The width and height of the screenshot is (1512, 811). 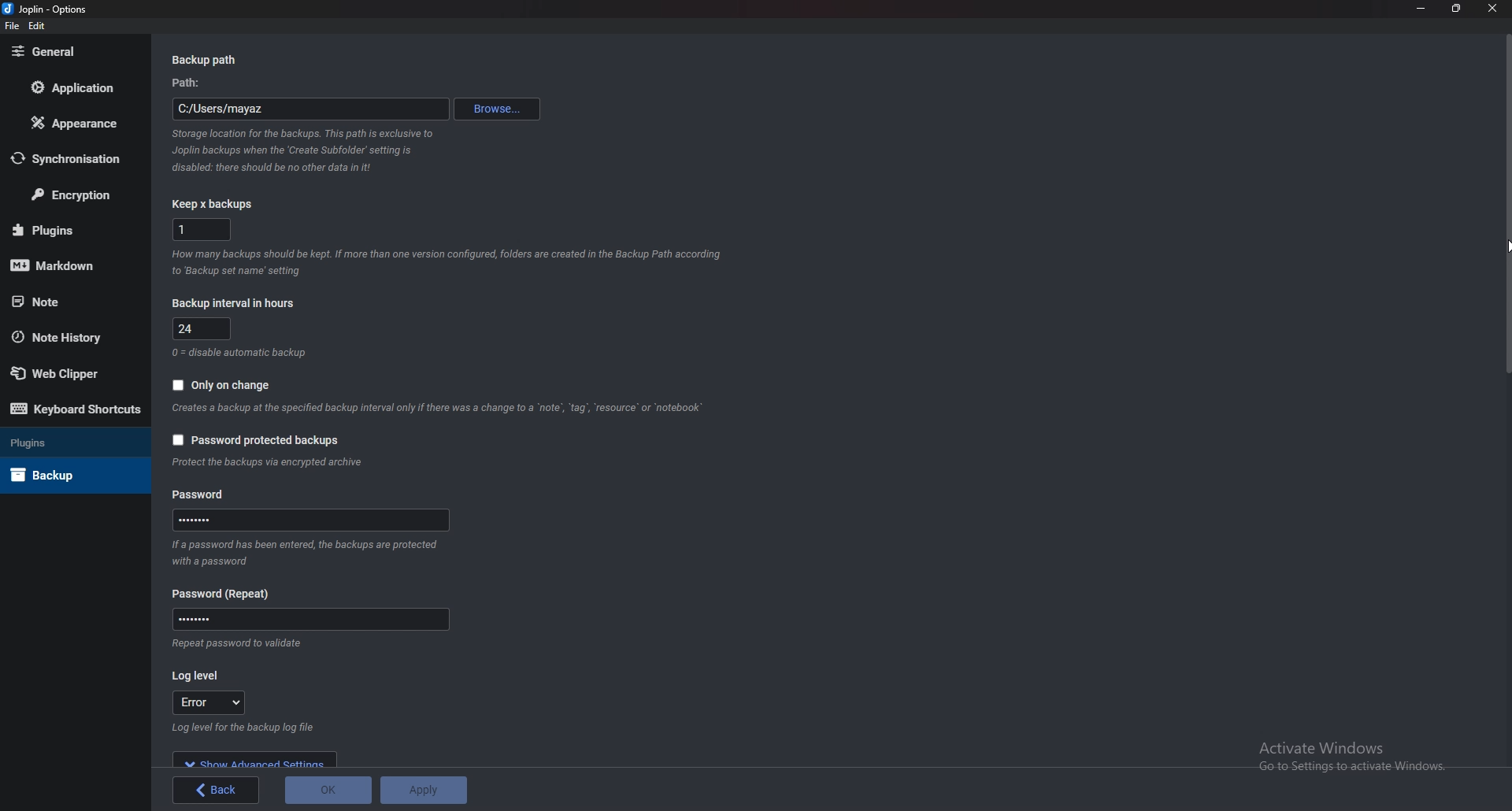 What do you see at coordinates (220, 386) in the screenshot?
I see `Only on change` at bounding box center [220, 386].